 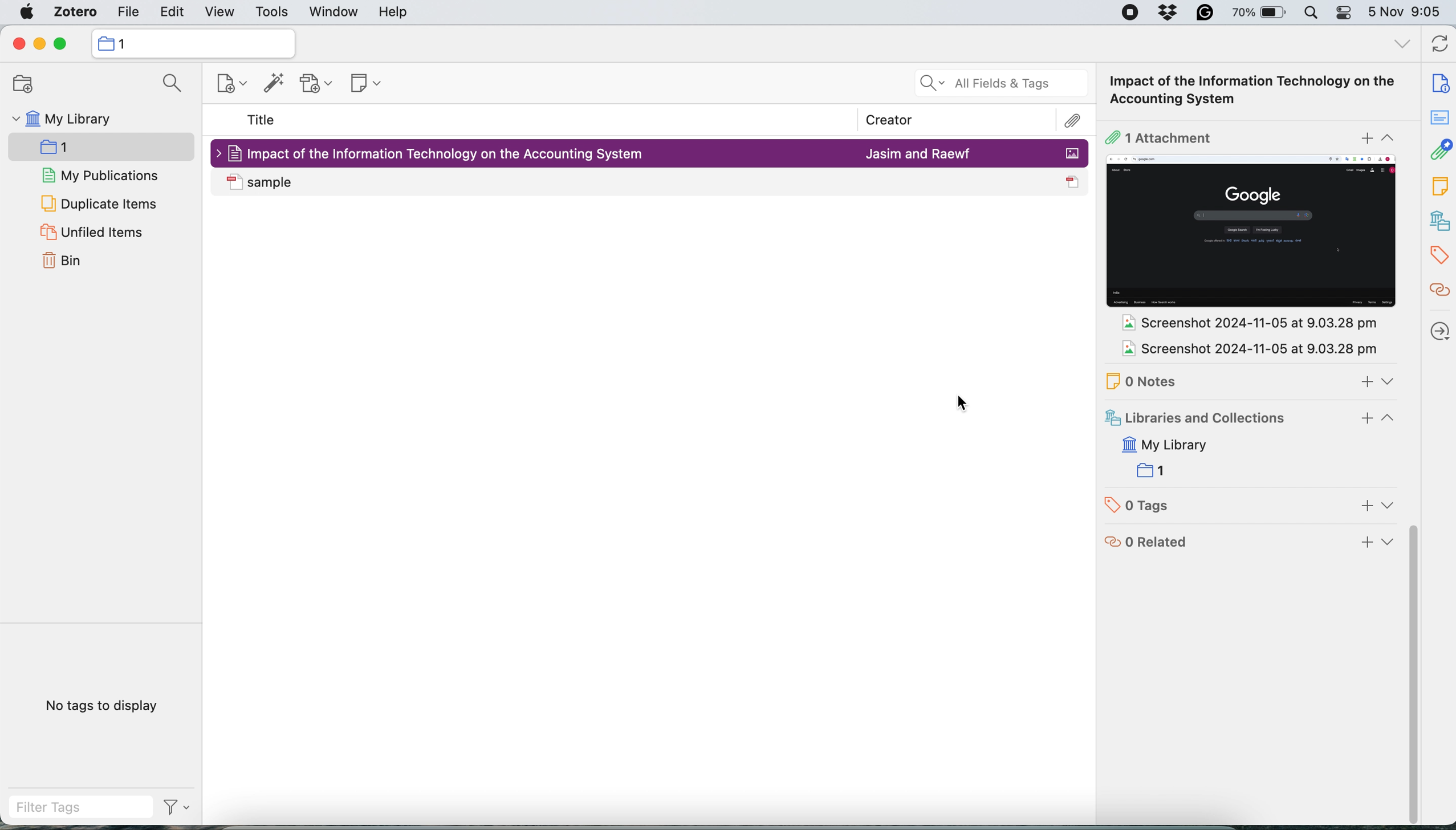 What do you see at coordinates (1436, 189) in the screenshot?
I see `notes` at bounding box center [1436, 189].